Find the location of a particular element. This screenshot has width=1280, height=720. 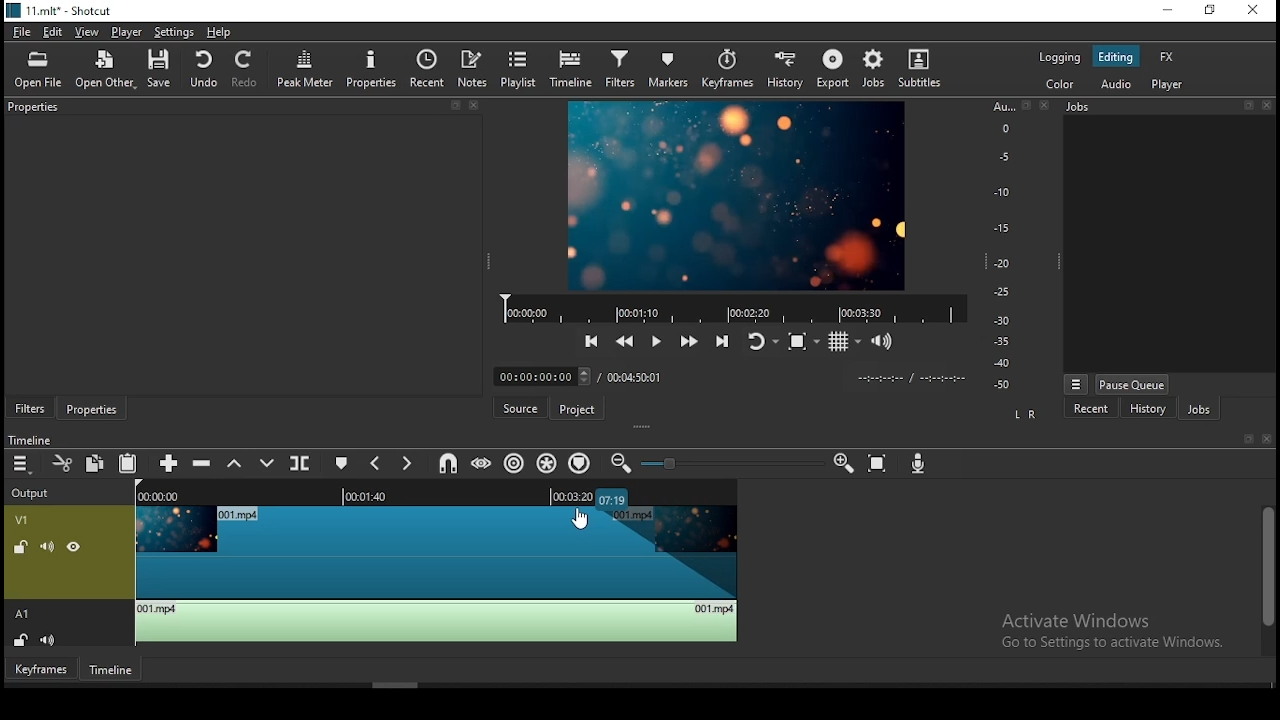

pause queue is located at coordinates (1133, 381).